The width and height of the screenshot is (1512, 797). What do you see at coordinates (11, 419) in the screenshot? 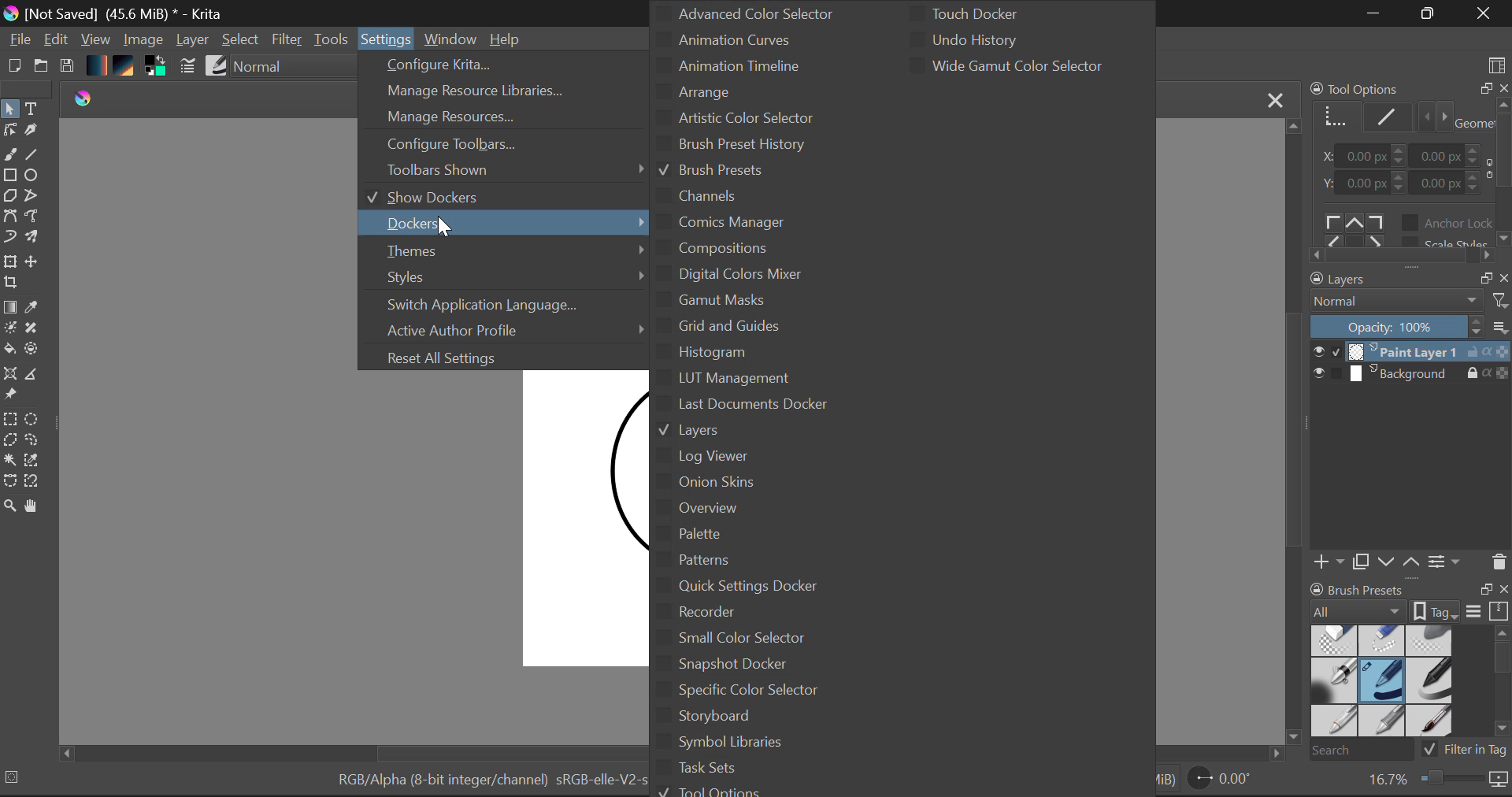
I see `Rectangular Selection` at bounding box center [11, 419].